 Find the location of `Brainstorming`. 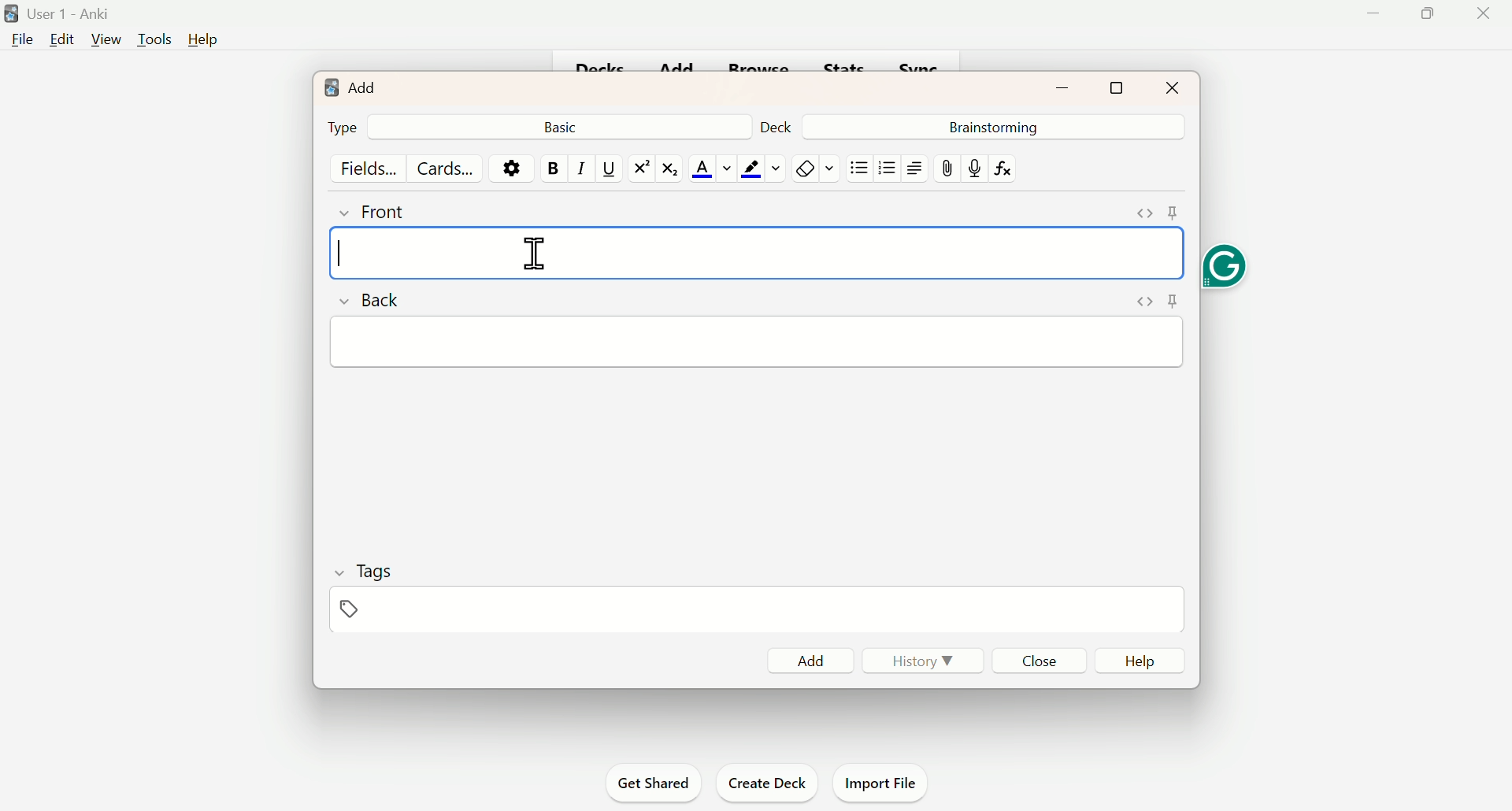

Brainstorming is located at coordinates (991, 126).